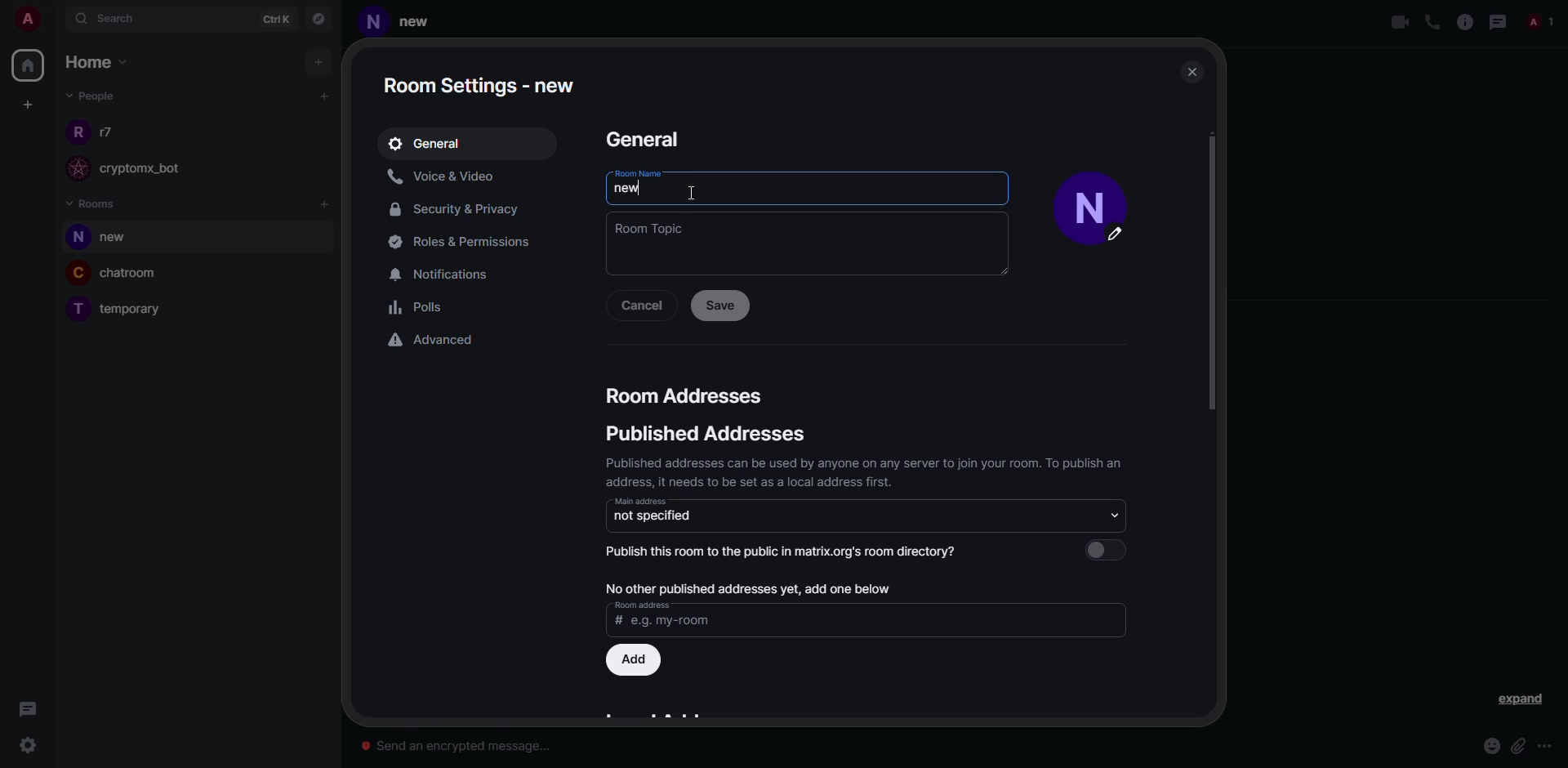  I want to click on settings, so click(29, 745).